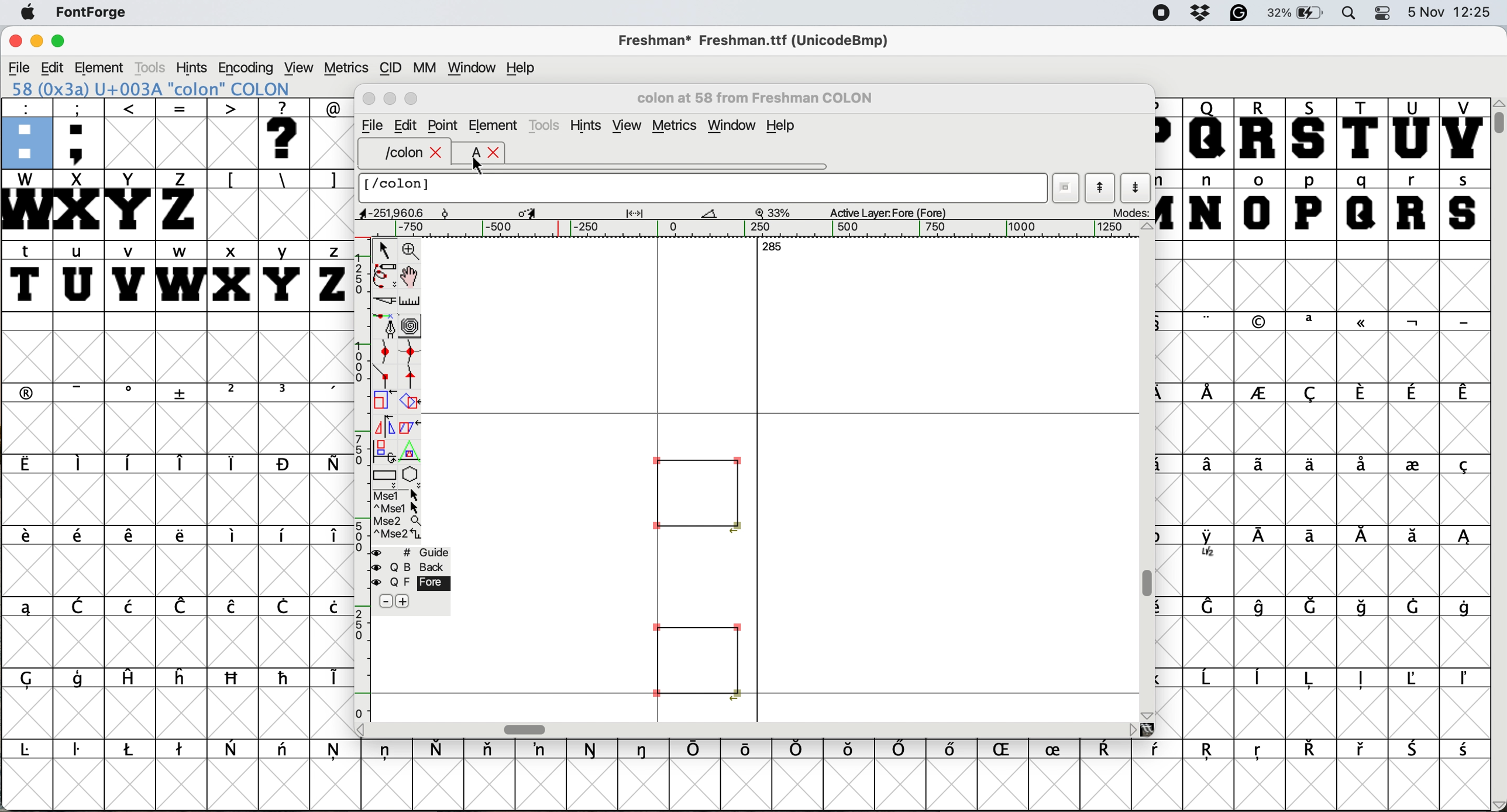  Describe the element at coordinates (1414, 205) in the screenshot. I see `r` at that location.